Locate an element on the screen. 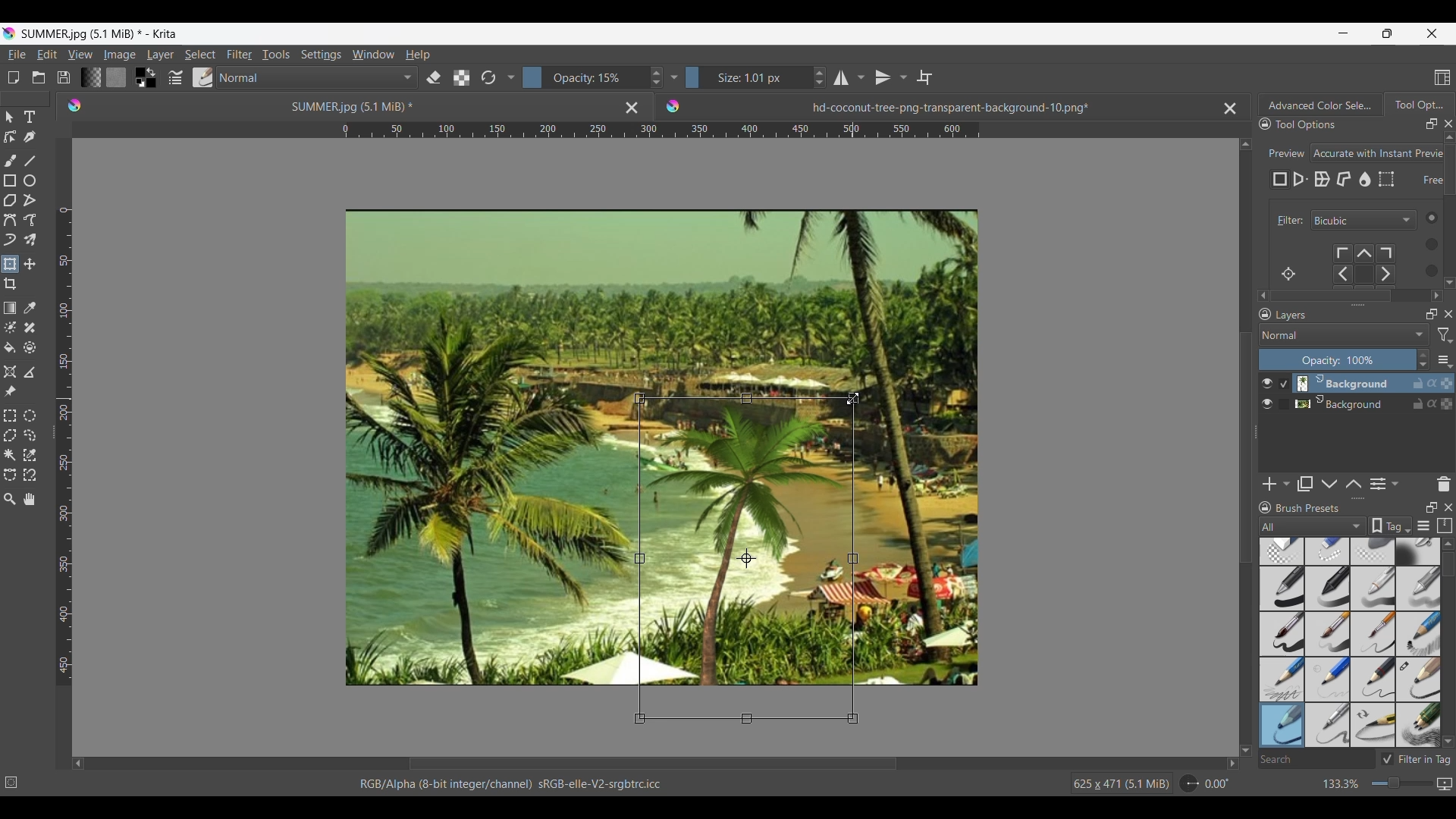  Right is located at coordinates (1228, 763).